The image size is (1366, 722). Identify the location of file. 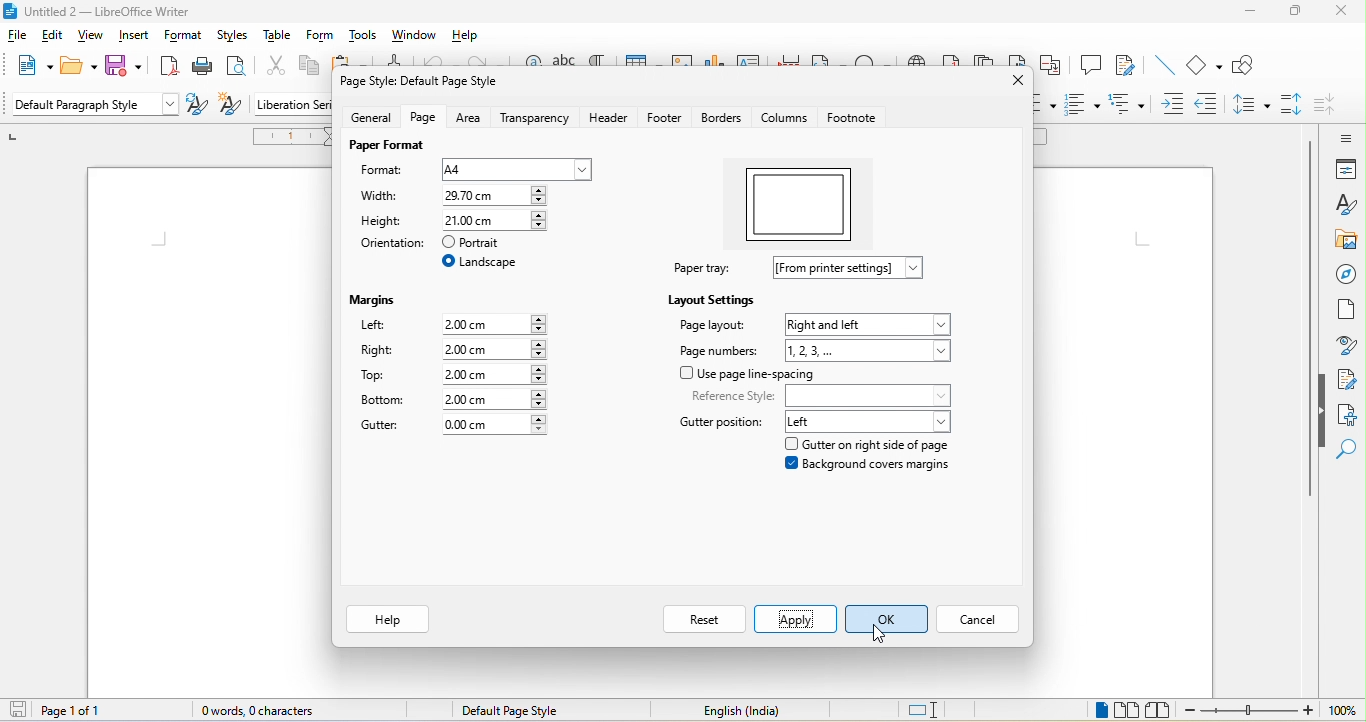
(18, 35).